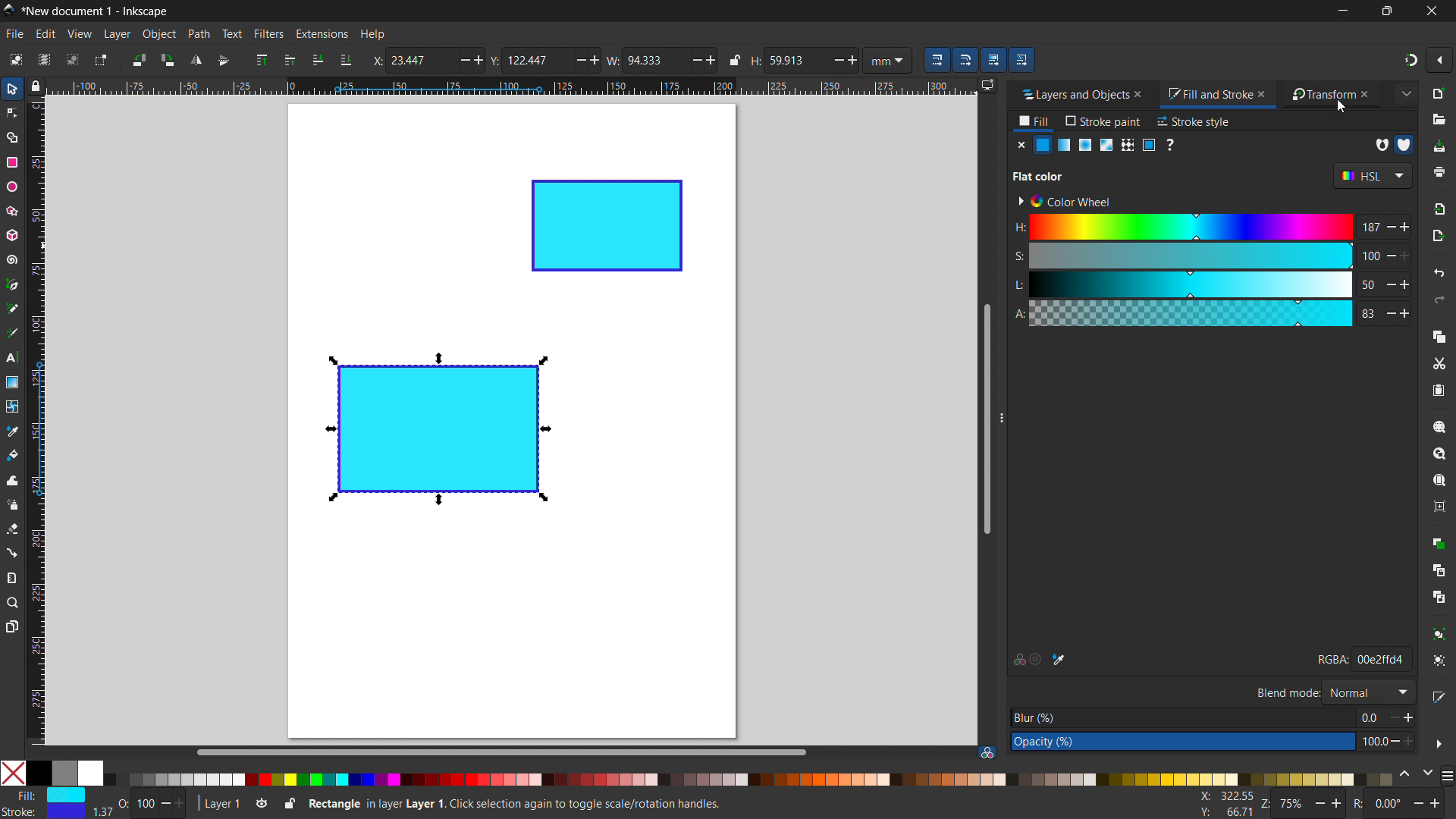  Describe the element at coordinates (1213, 742) in the screenshot. I see `opacity(%): 100` at that location.